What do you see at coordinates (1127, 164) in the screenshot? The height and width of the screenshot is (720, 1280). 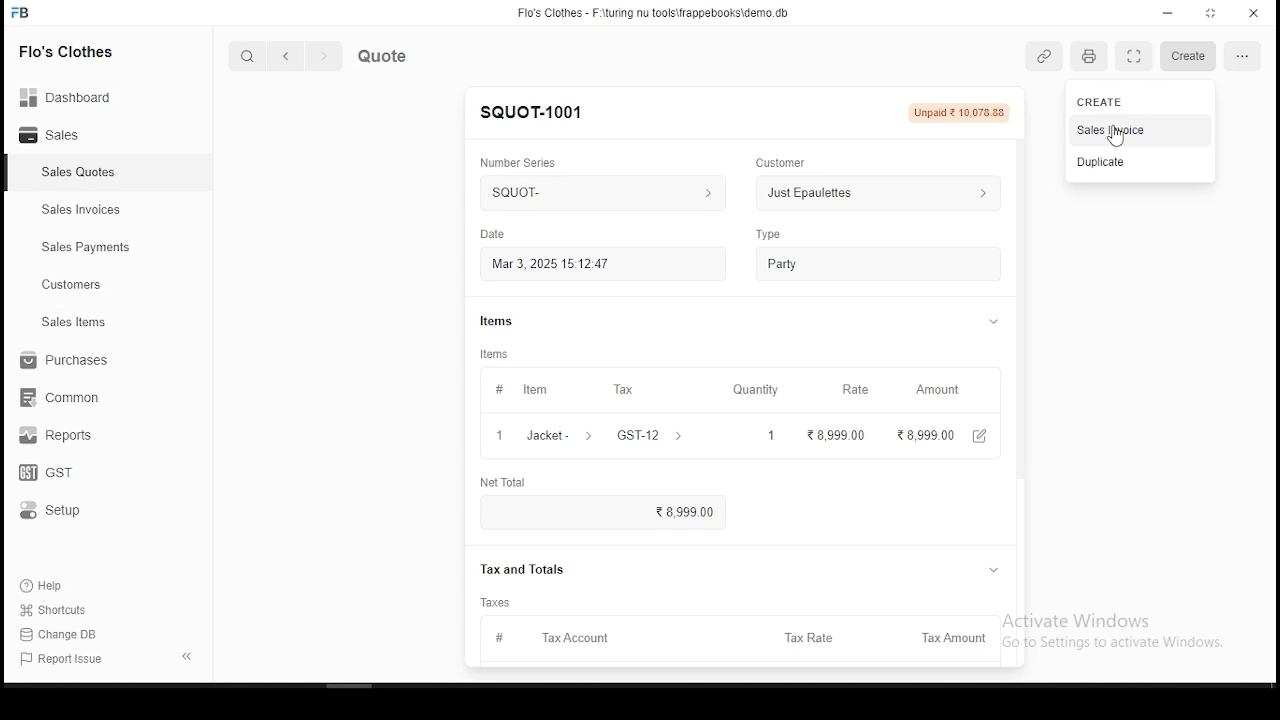 I see `duplicate` at bounding box center [1127, 164].